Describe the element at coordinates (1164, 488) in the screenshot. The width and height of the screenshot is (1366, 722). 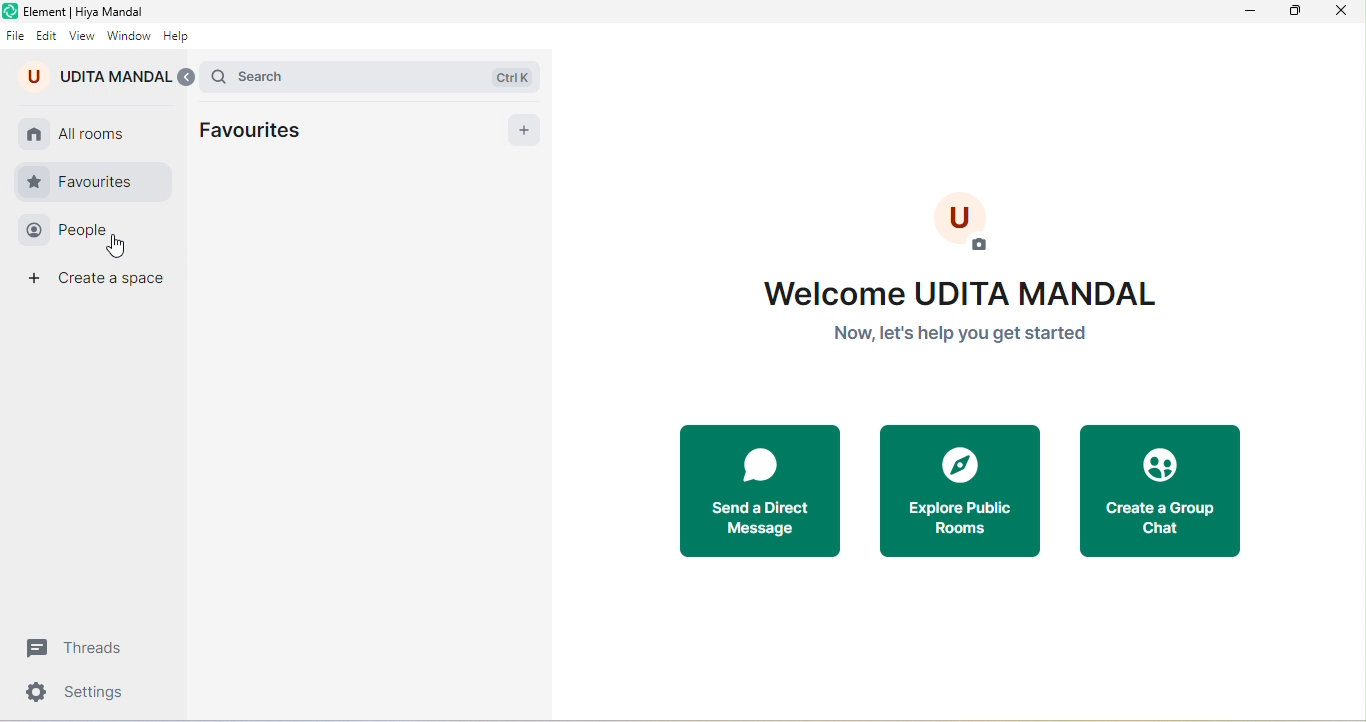
I see `create a group chat` at that location.